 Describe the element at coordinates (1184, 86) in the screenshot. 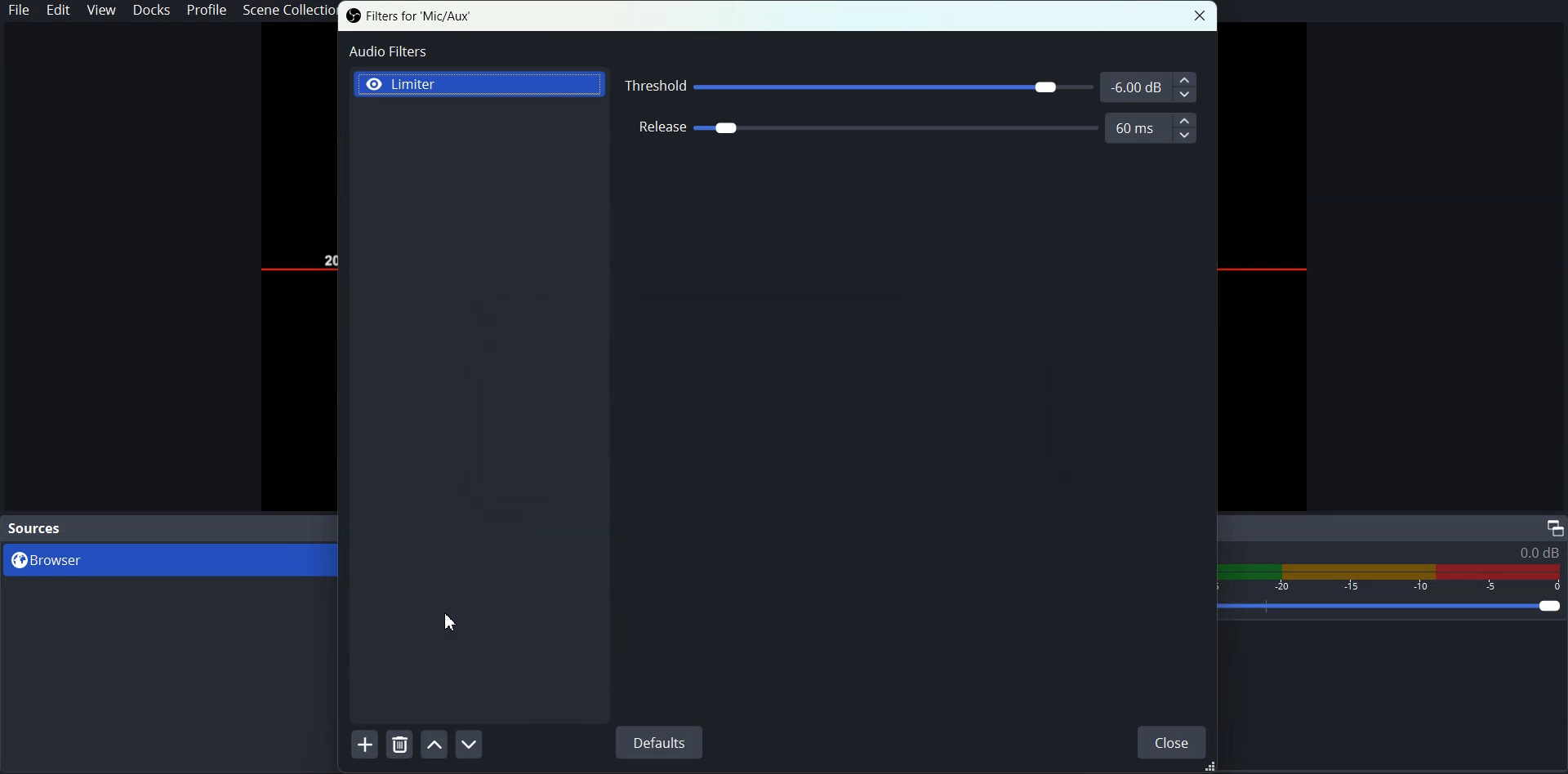

I see `Increase or decrease Units` at that location.